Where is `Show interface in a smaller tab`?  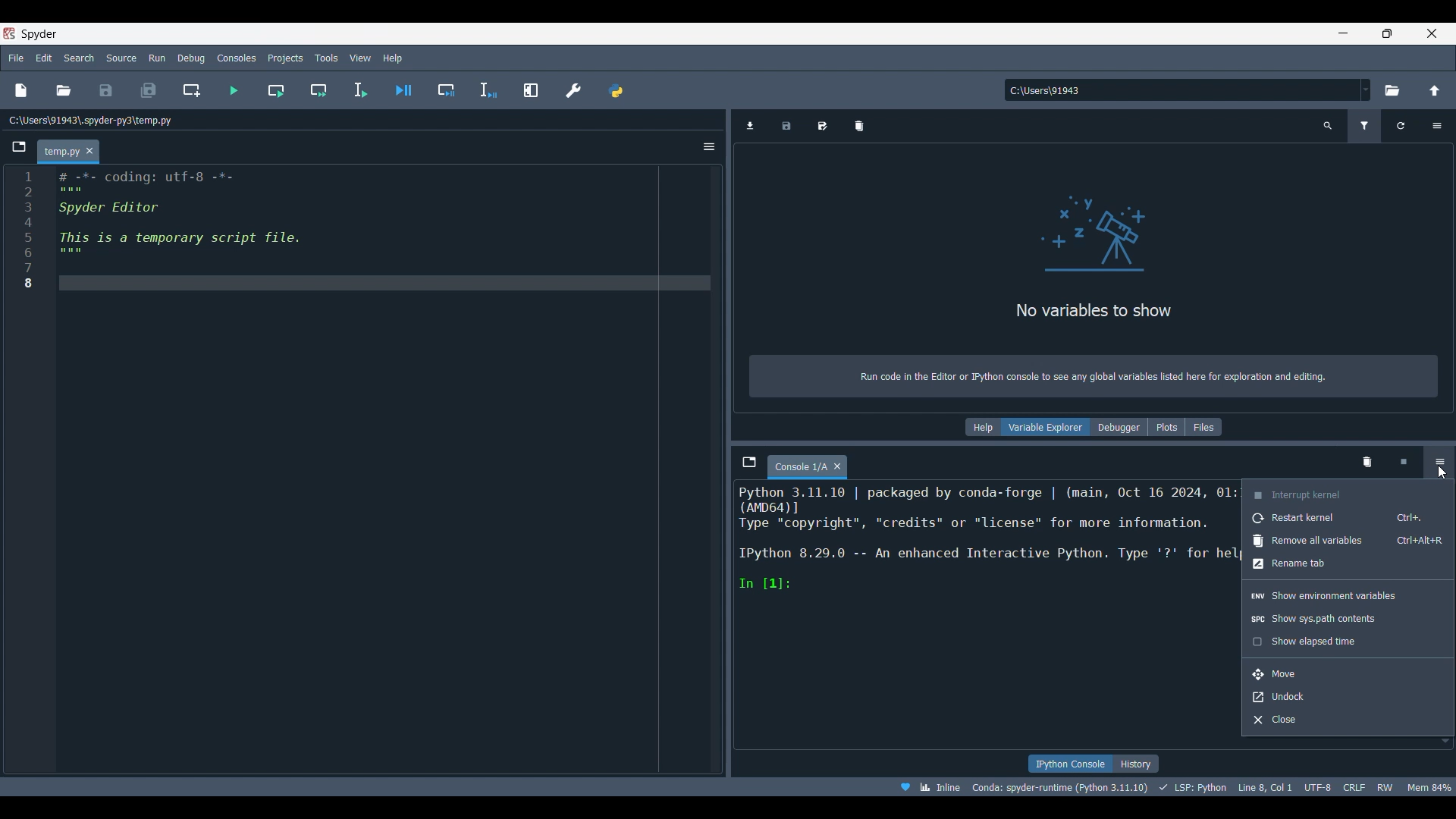
Show interface in a smaller tab is located at coordinates (1388, 33).